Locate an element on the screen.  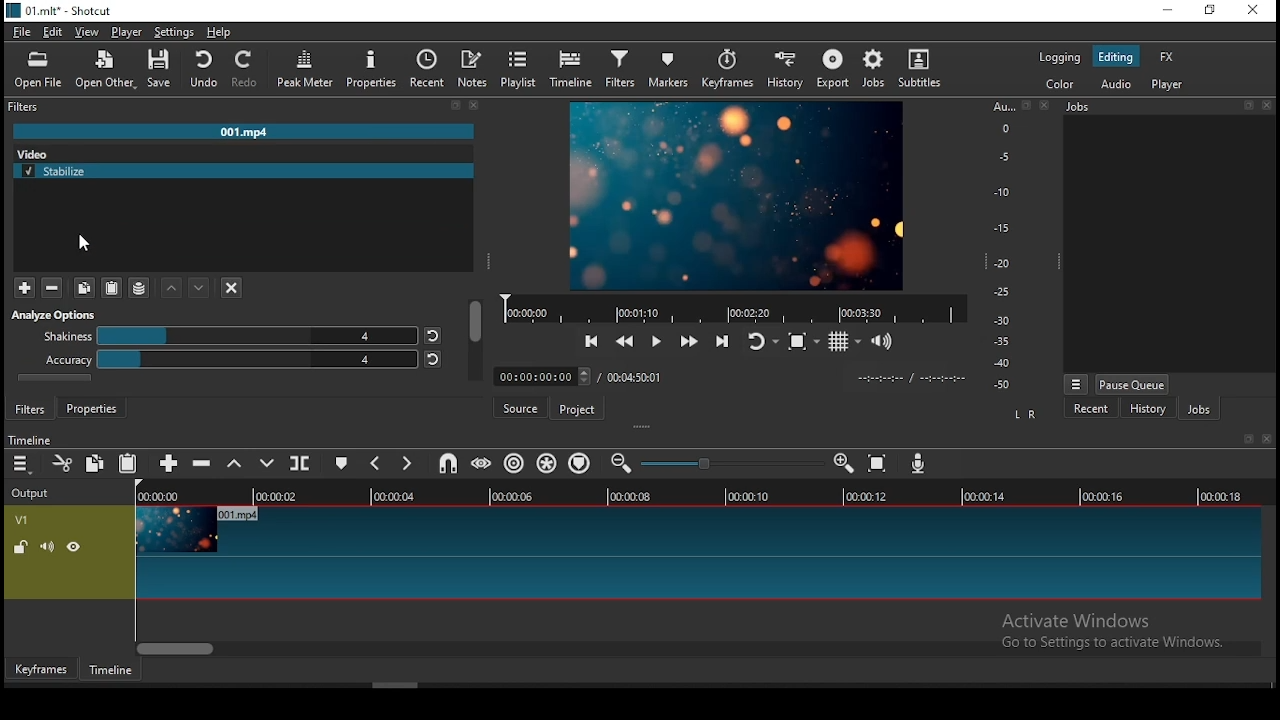
up is located at coordinates (173, 289).